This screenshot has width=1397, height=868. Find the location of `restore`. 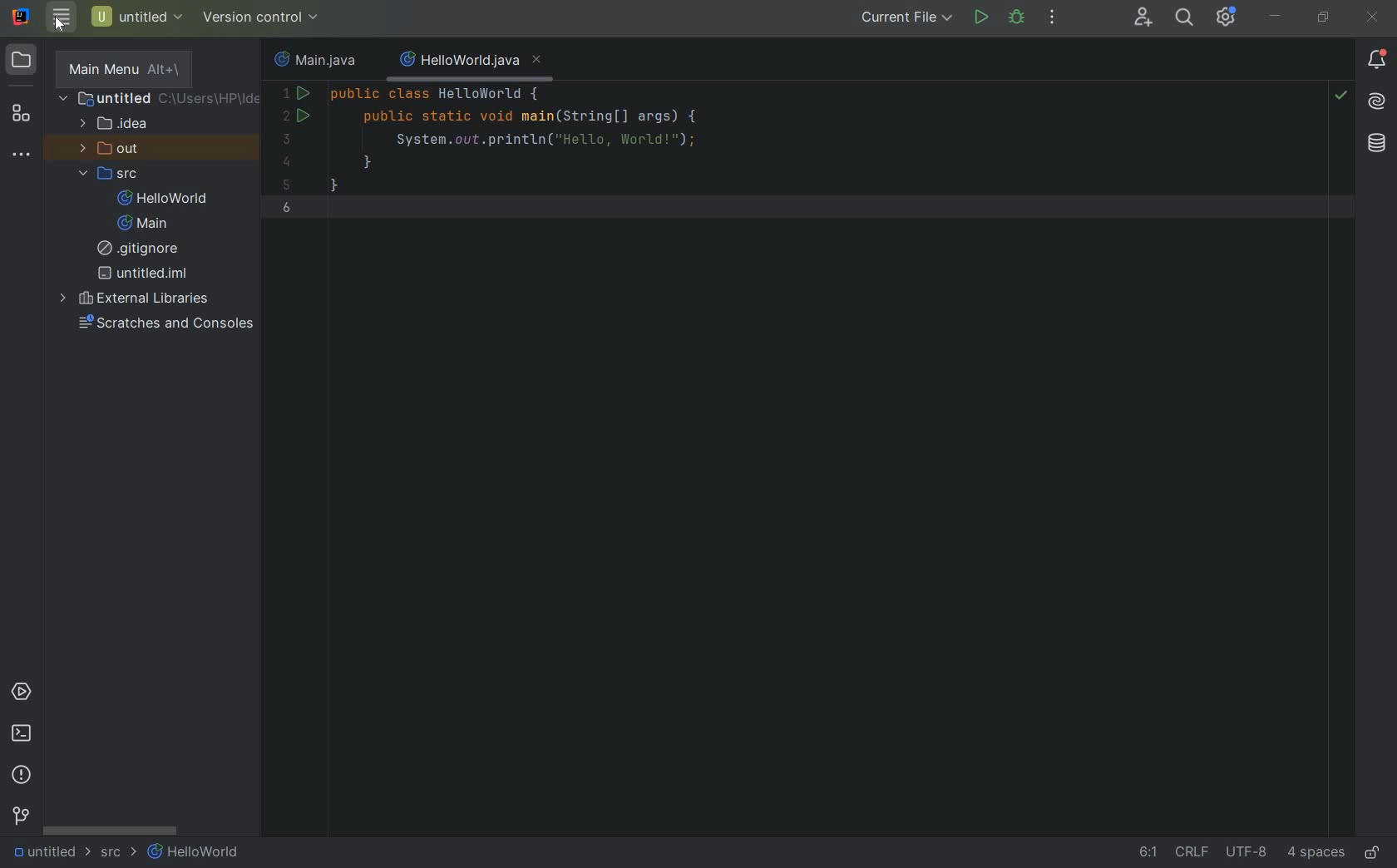

restore is located at coordinates (1325, 18).